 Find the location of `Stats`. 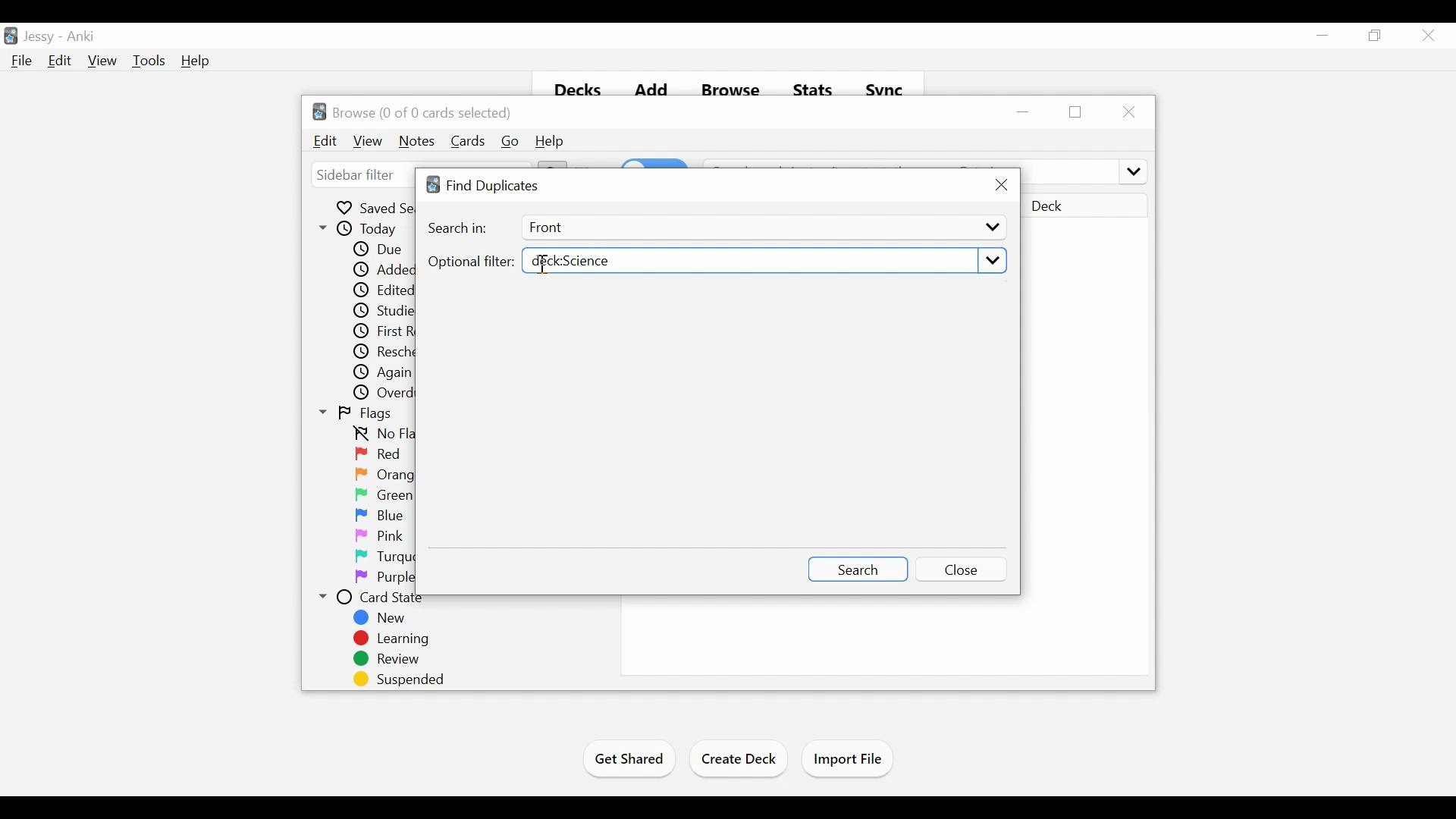

Stats is located at coordinates (811, 86).